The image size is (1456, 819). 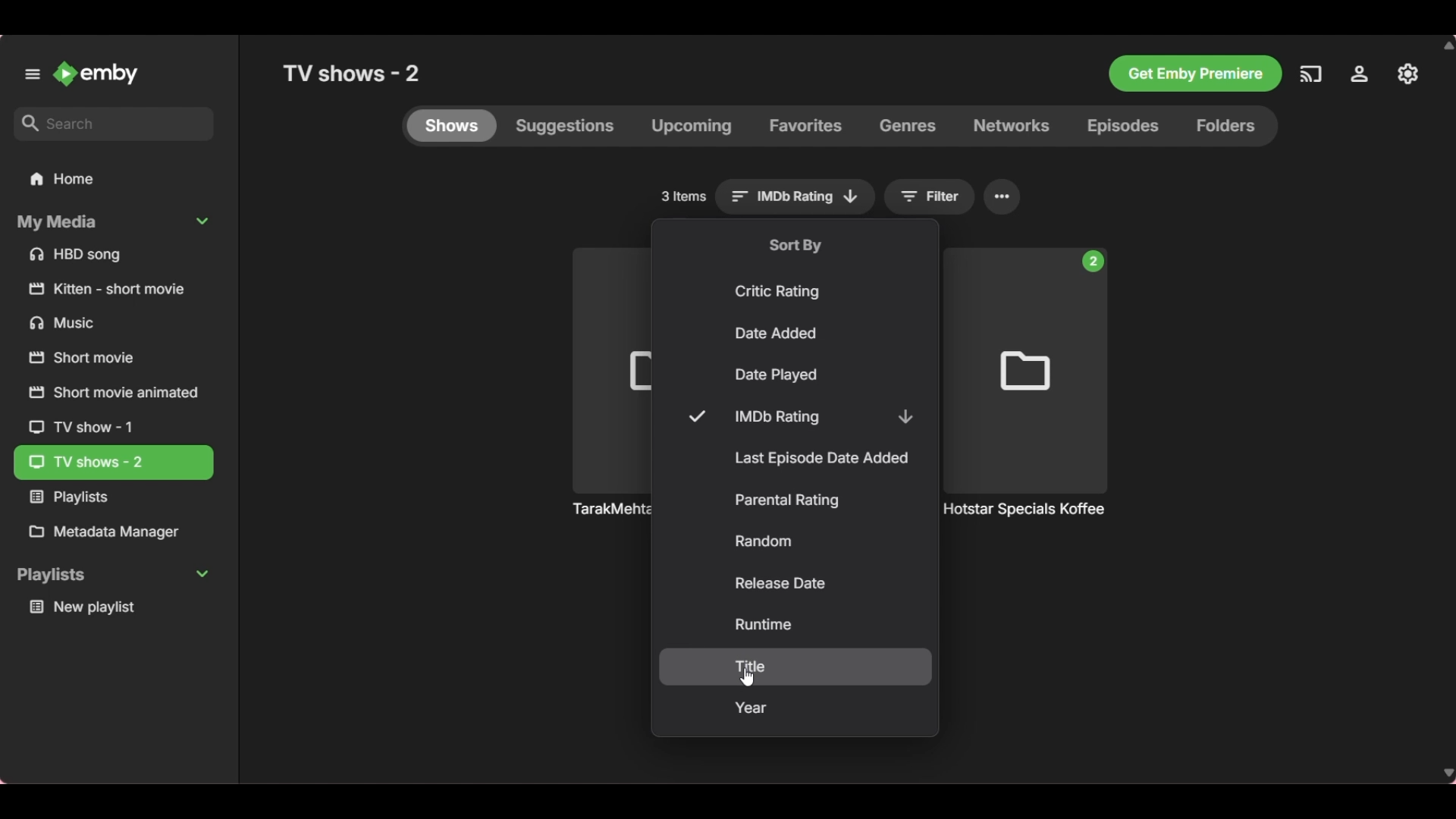 What do you see at coordinates (795, 501) in the screenshot?
I see `Sort by Parental rating` at bounding box center [795, 501].